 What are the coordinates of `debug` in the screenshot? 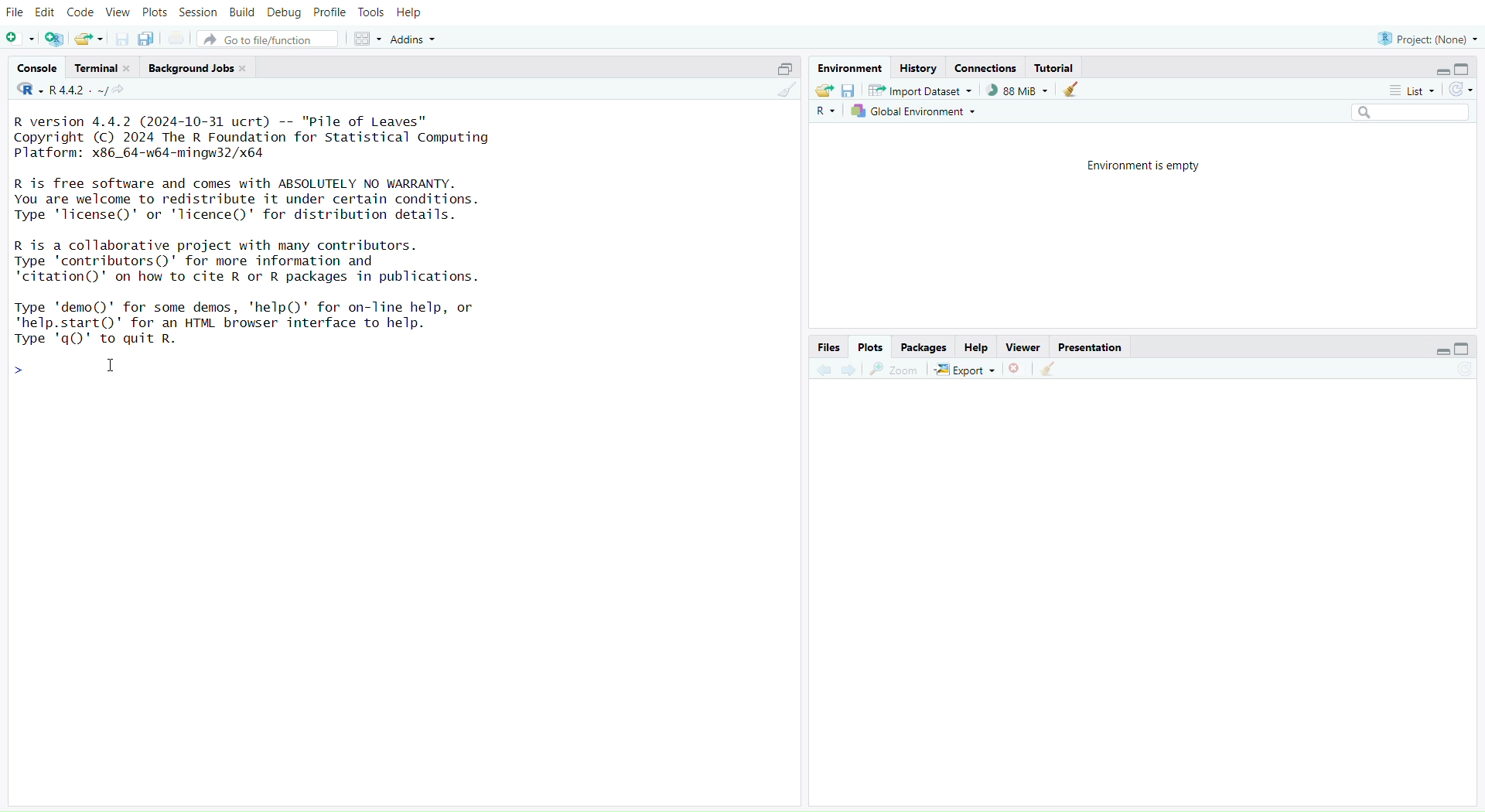 It's located at (282, 14).